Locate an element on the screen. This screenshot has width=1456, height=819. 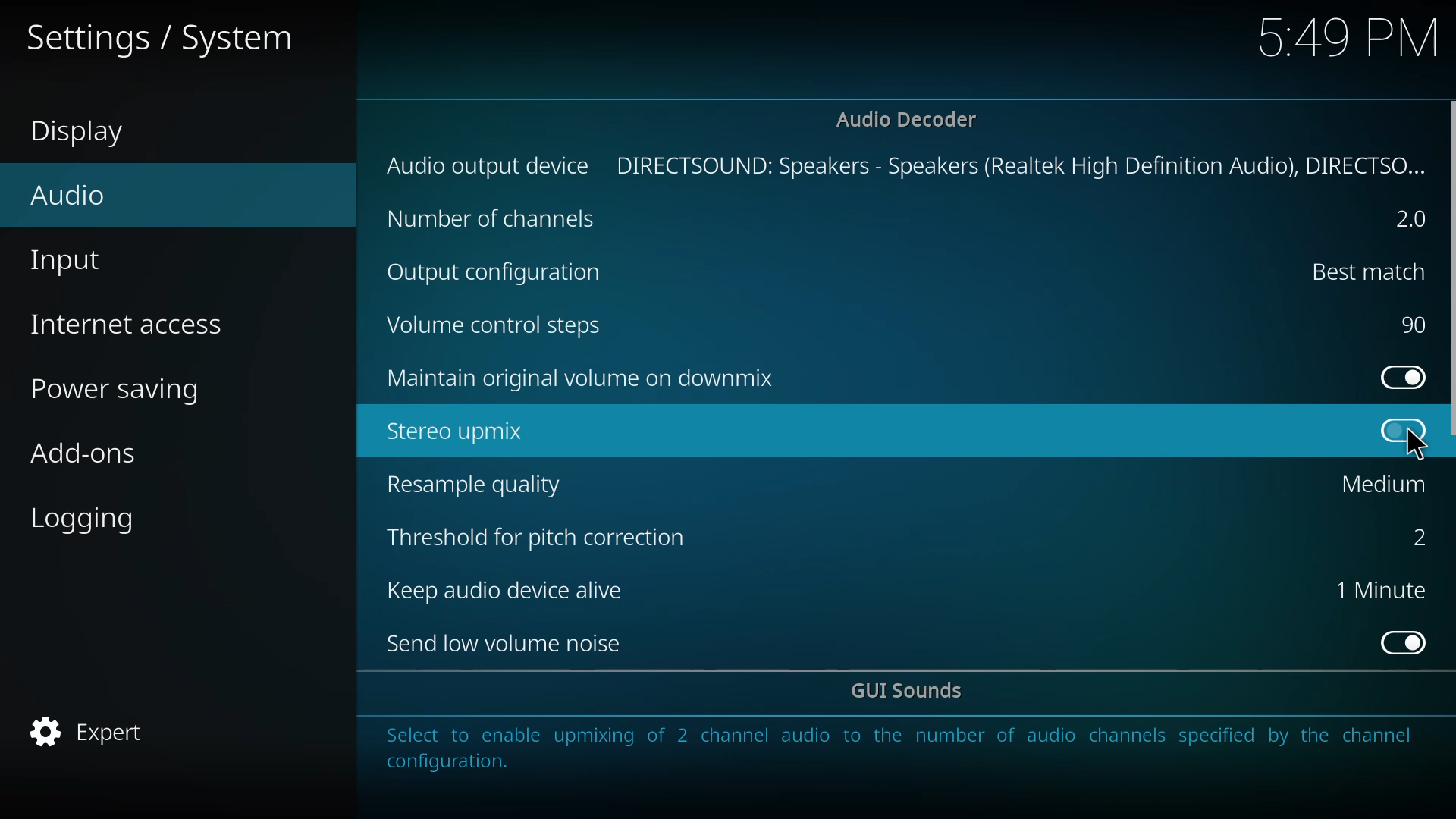
resample quality is located at coordinates (487, 484).